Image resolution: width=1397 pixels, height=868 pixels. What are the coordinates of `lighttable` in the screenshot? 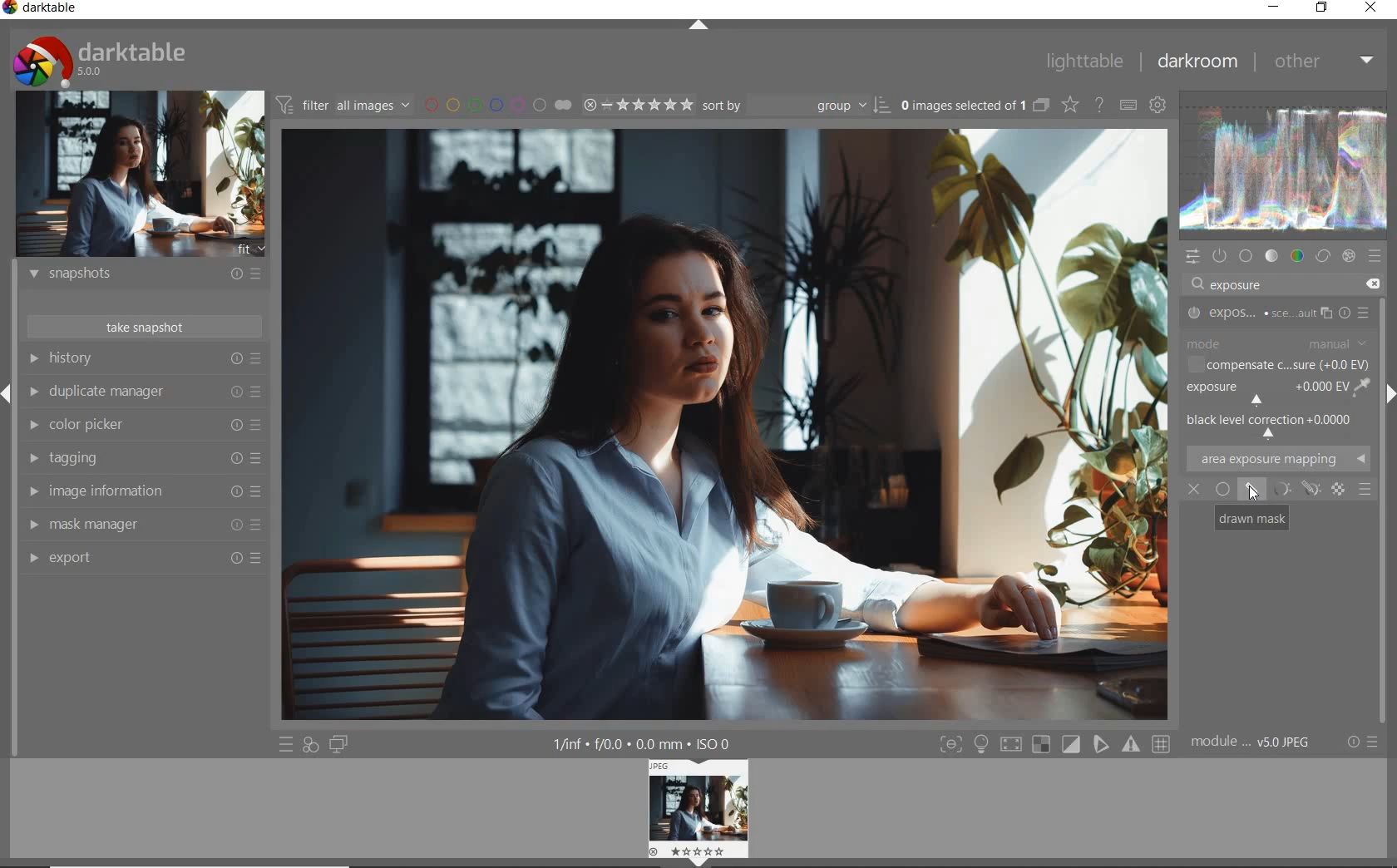 It's located at (1085, 60).